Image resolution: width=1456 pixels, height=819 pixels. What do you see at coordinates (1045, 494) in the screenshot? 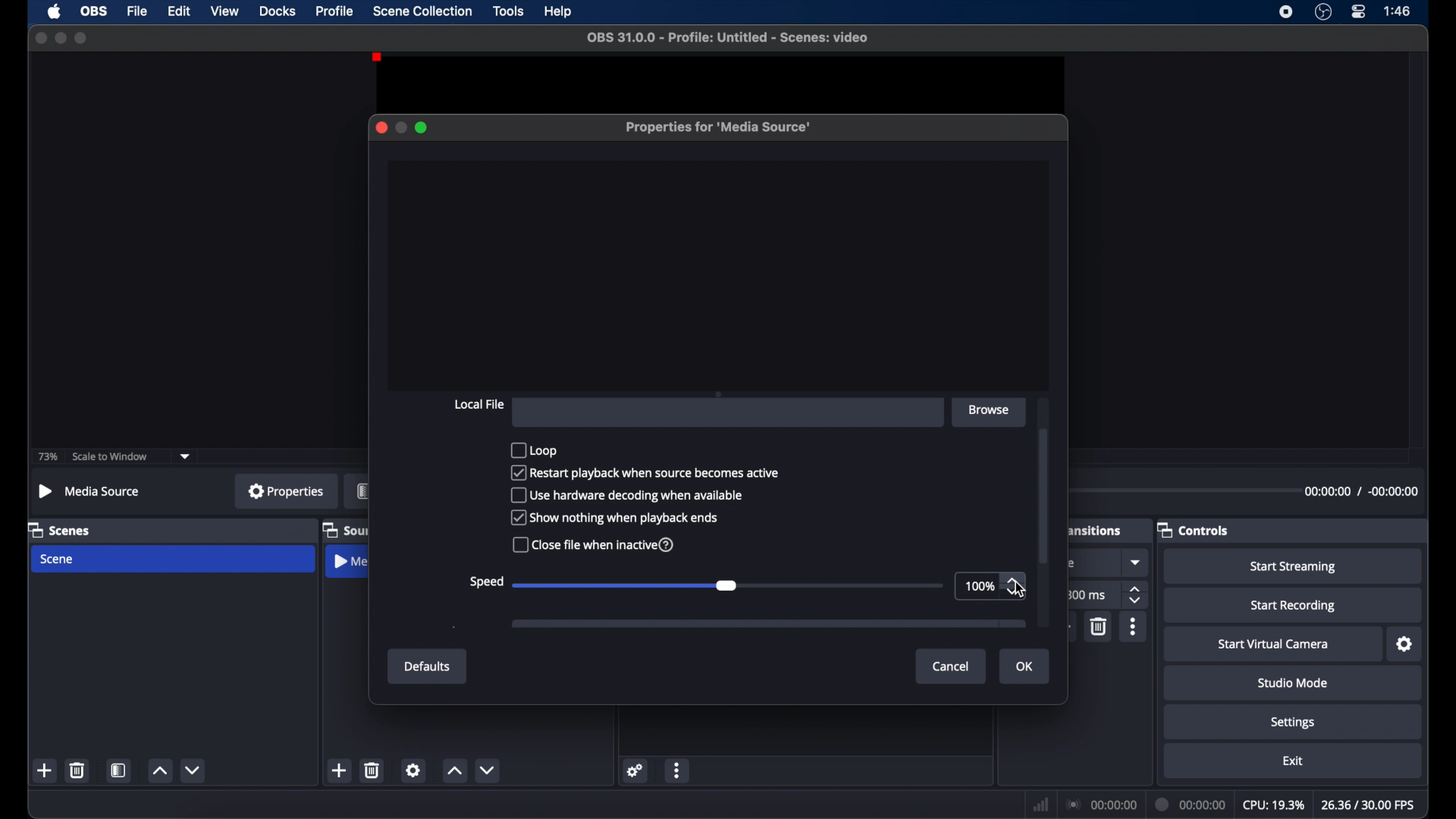
I see `scroll box` at bounding box center [1045, 494].